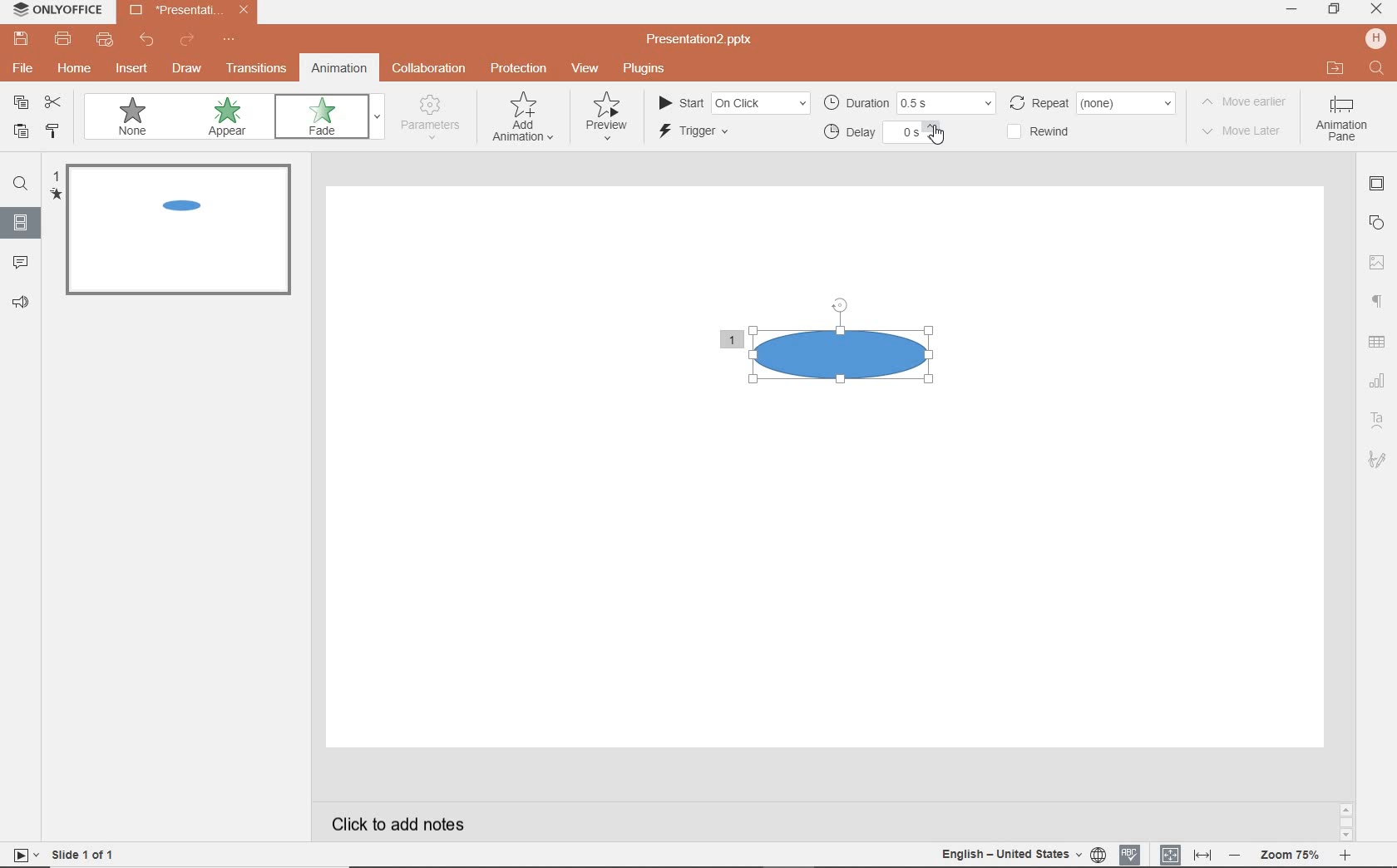  I want to click on textart, so click(1379, 422).